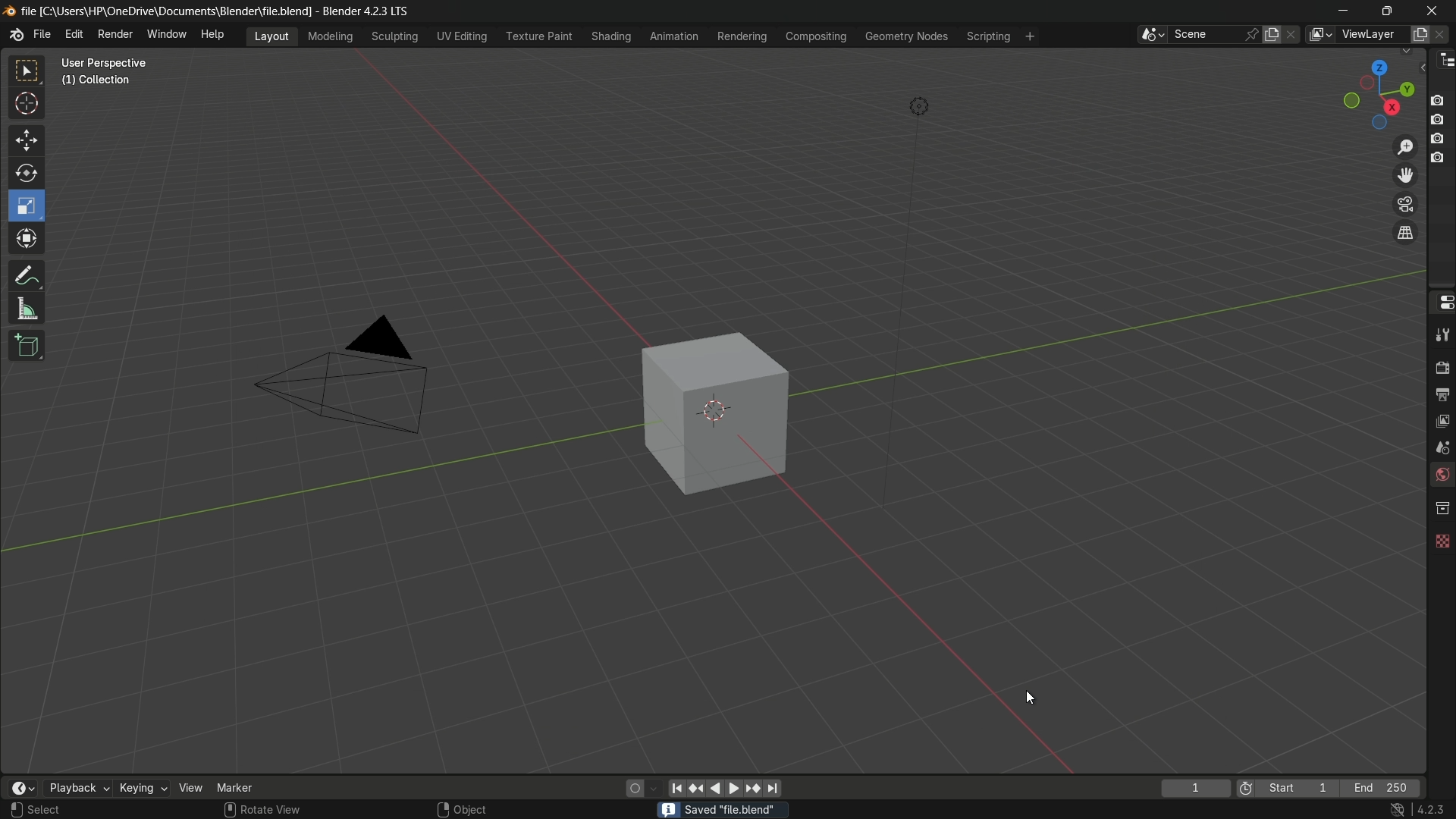 This screenshot has height=819, width=1456. What do you see at coordinates (28, 71) in the screenshot?
I see `select box` at bounding box center [28, 71].